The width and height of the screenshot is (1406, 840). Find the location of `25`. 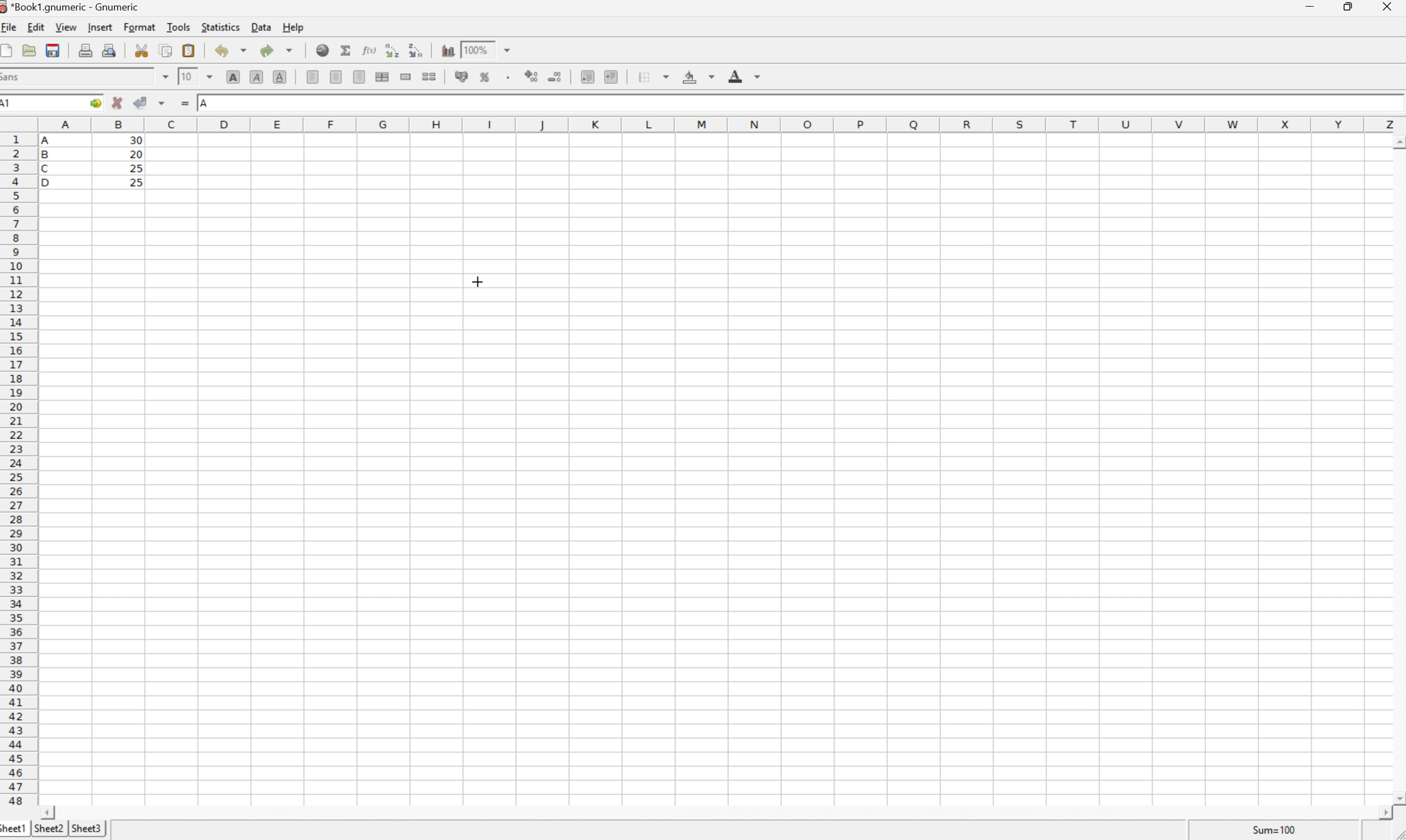

25 is located at coordinates (138, 182).